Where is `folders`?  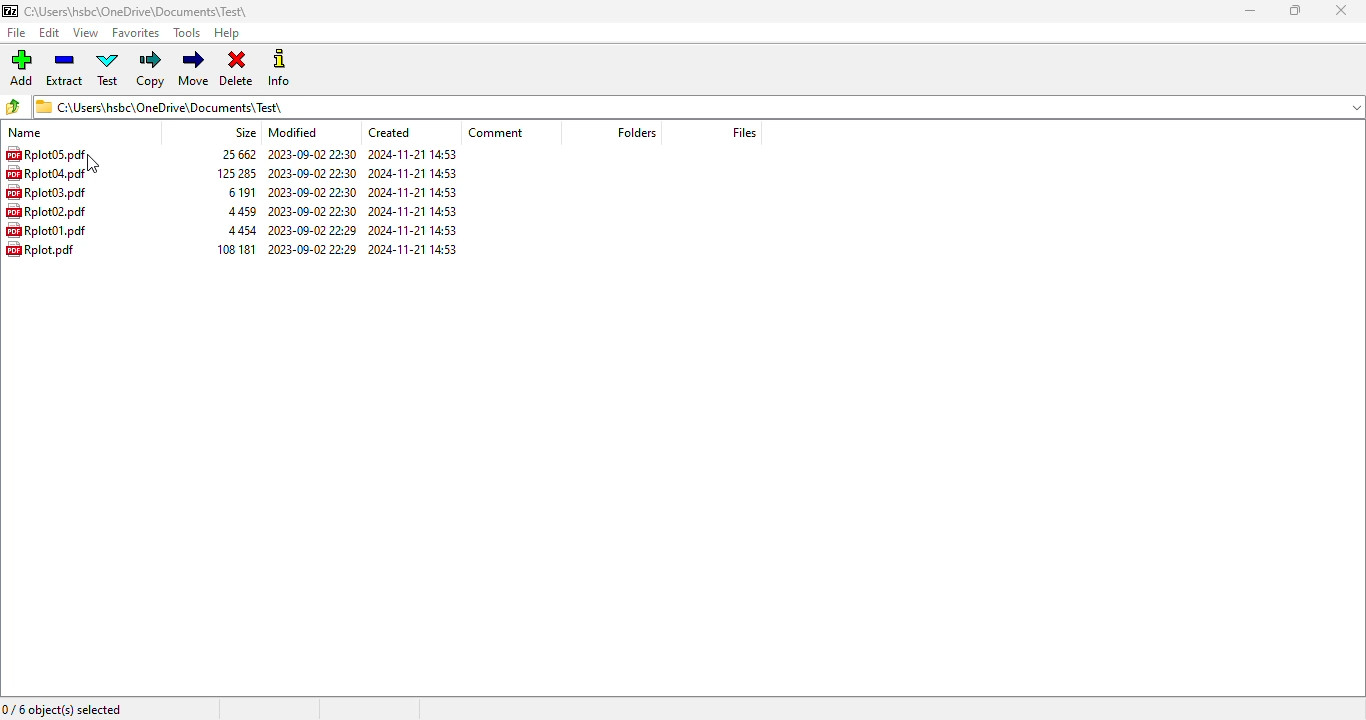
folders is located at coordinates (636, 133).